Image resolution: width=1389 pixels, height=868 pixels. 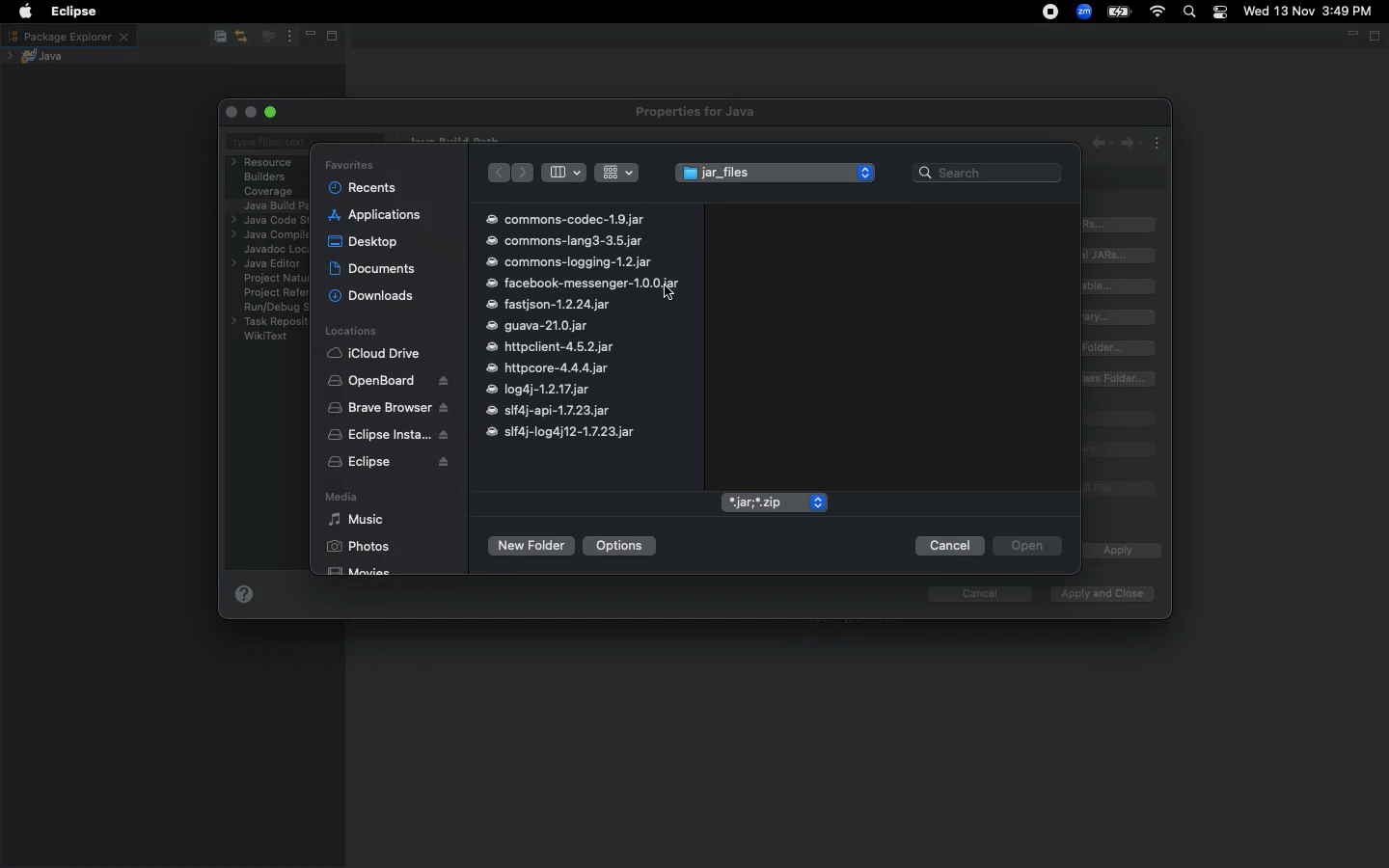 What do you see at coordinates (1119, 12) in the screenshot?
I see `Charge` at bounding box center [1119, 12].